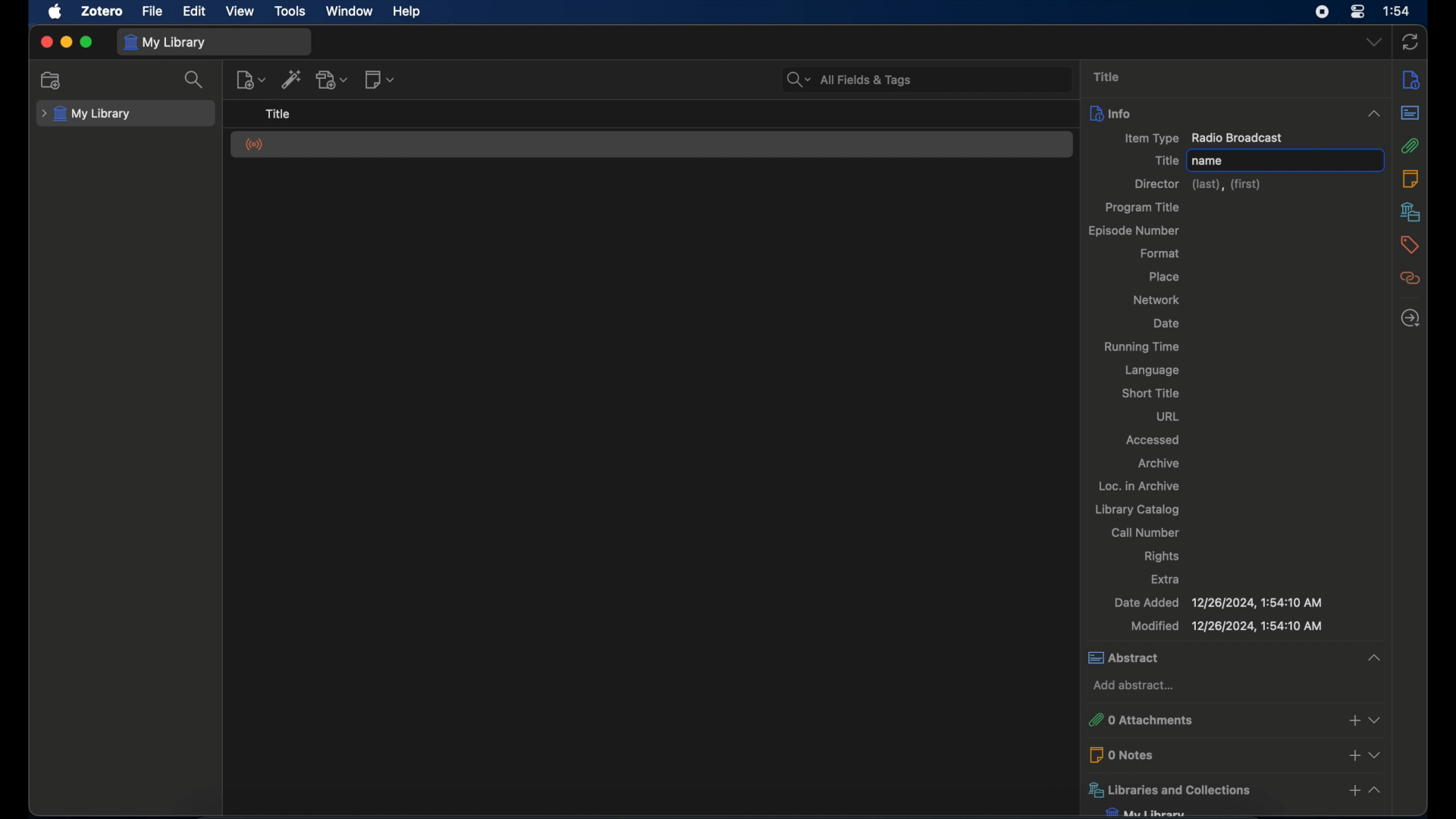 Image resolution: width=1456 pixels, height=819 pixels. I want to click on modified 12/26/2024, 1:54:10 AM, so click(1228, 627).